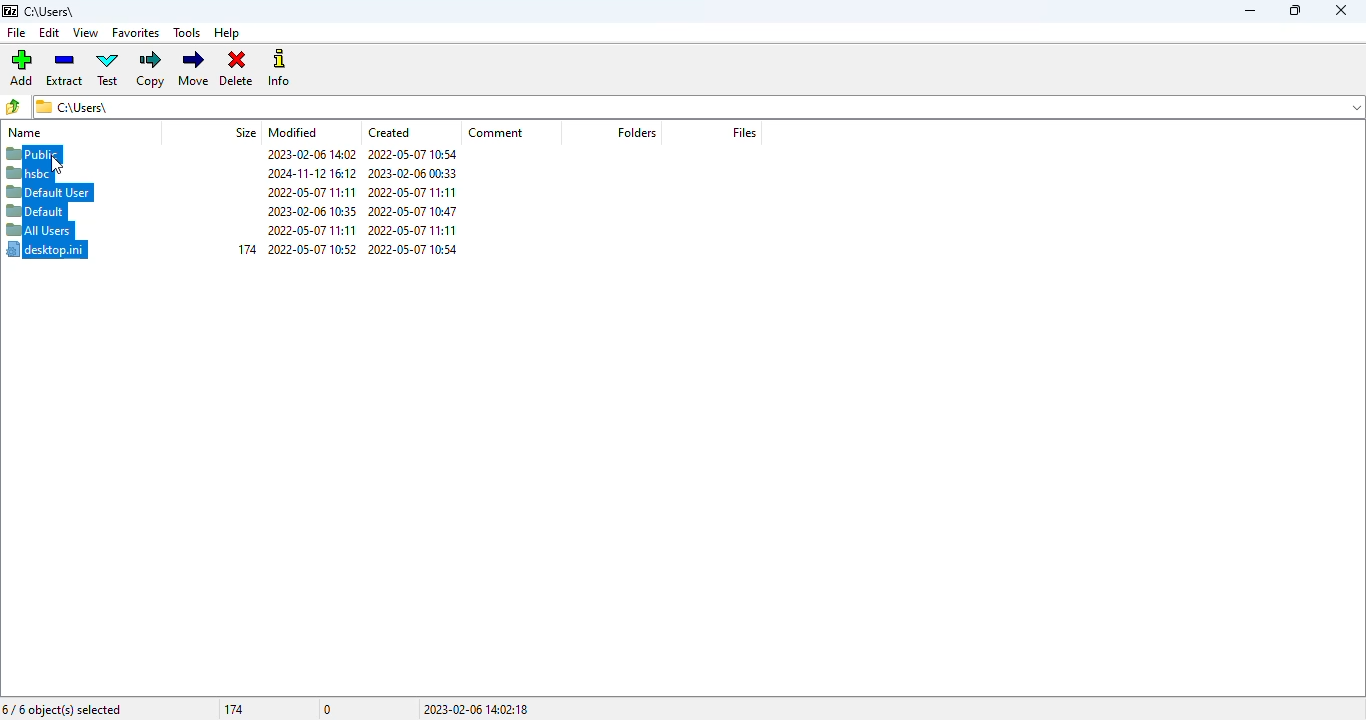 This screenshot has height=720, width=1366. Describe the element at coordinates (305, 230) in the screenshot. I see `2022-05-07 11:11` at that location.